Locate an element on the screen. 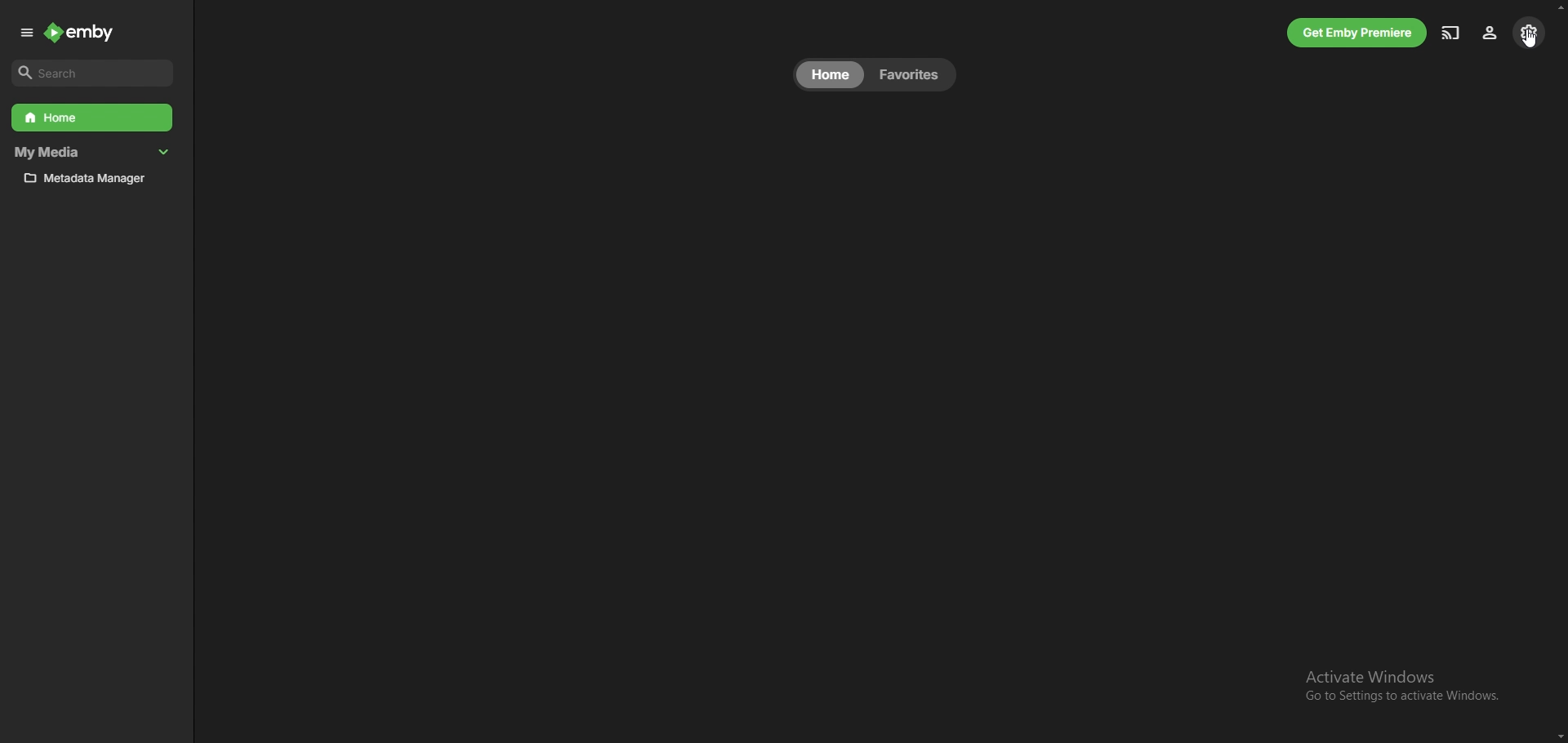 This screenshot has width=1568, height=743. emby is located at coordinates (82, 32).